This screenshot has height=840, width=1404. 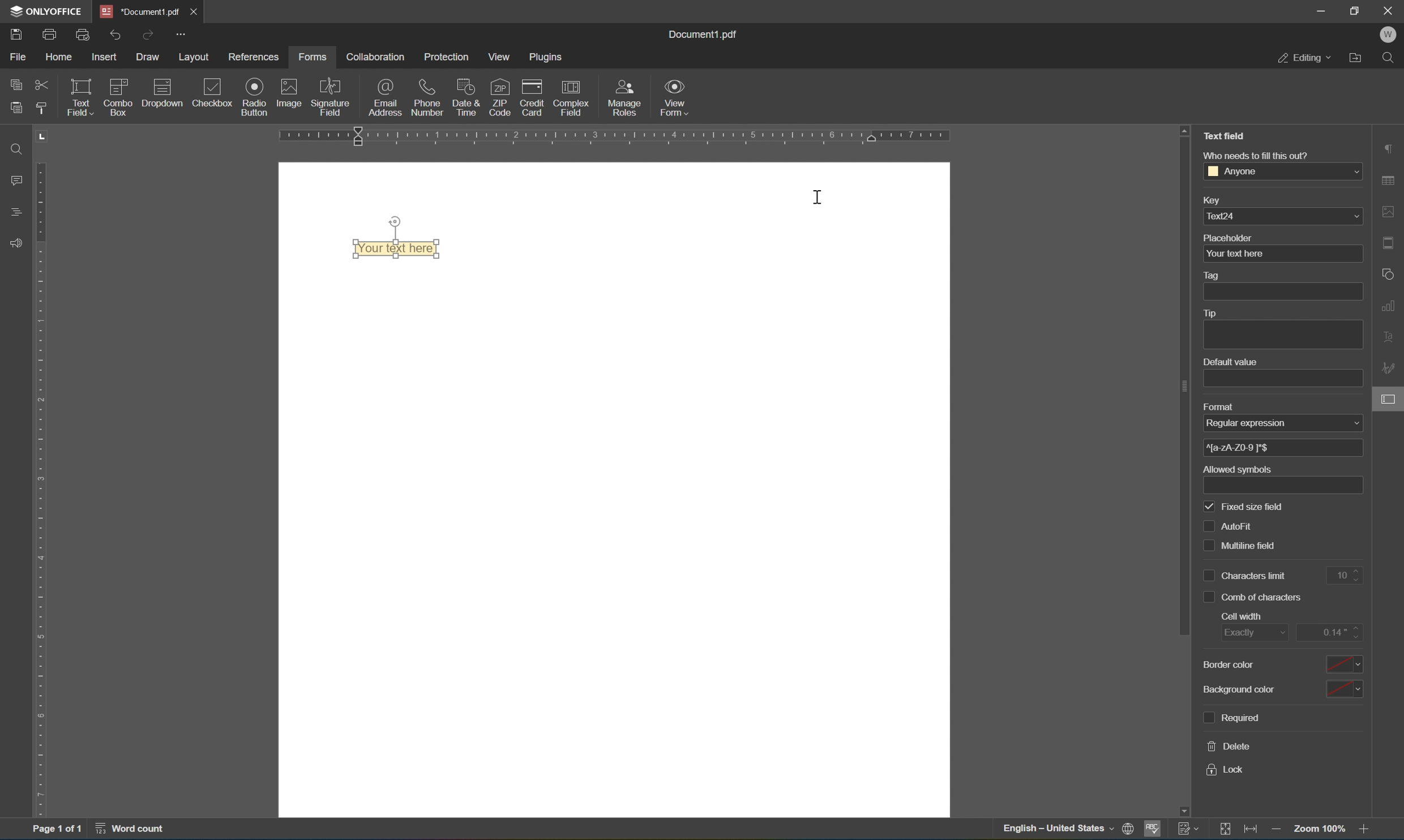 I want to click on view form, so click(x=675, y=97).